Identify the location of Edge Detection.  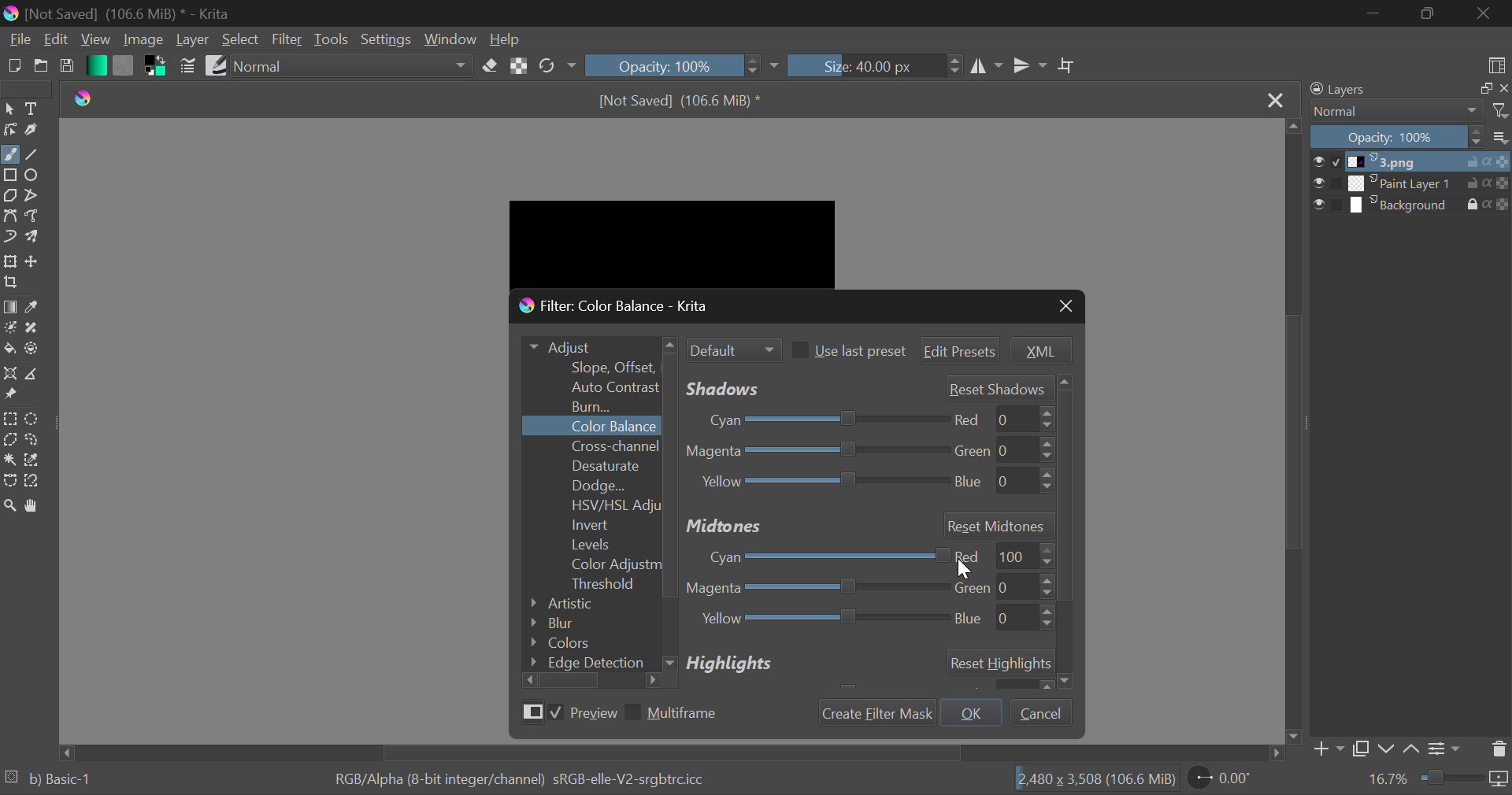
(591, 660).